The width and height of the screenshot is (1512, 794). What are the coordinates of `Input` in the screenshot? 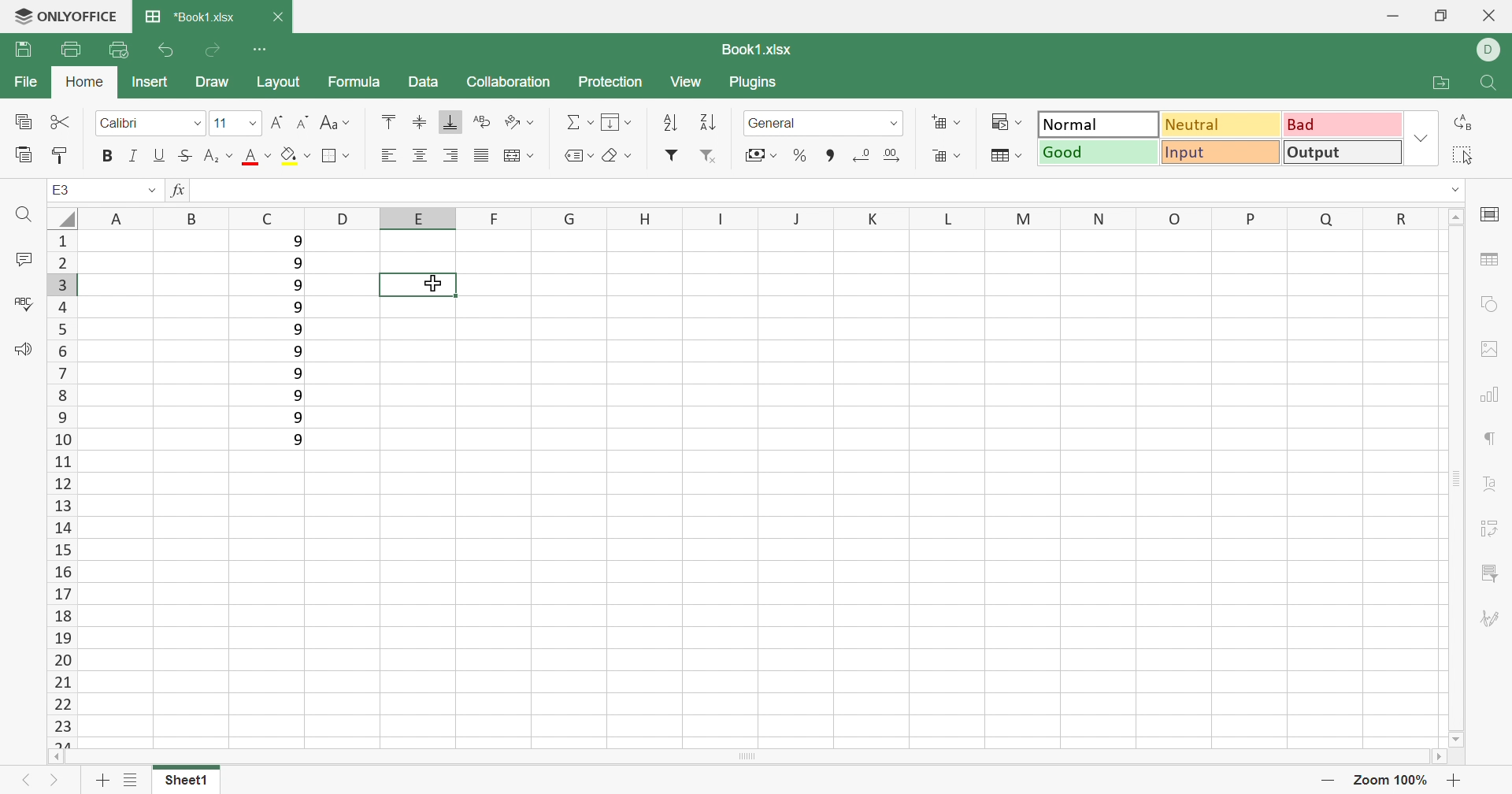 It's located at (1218, 153).